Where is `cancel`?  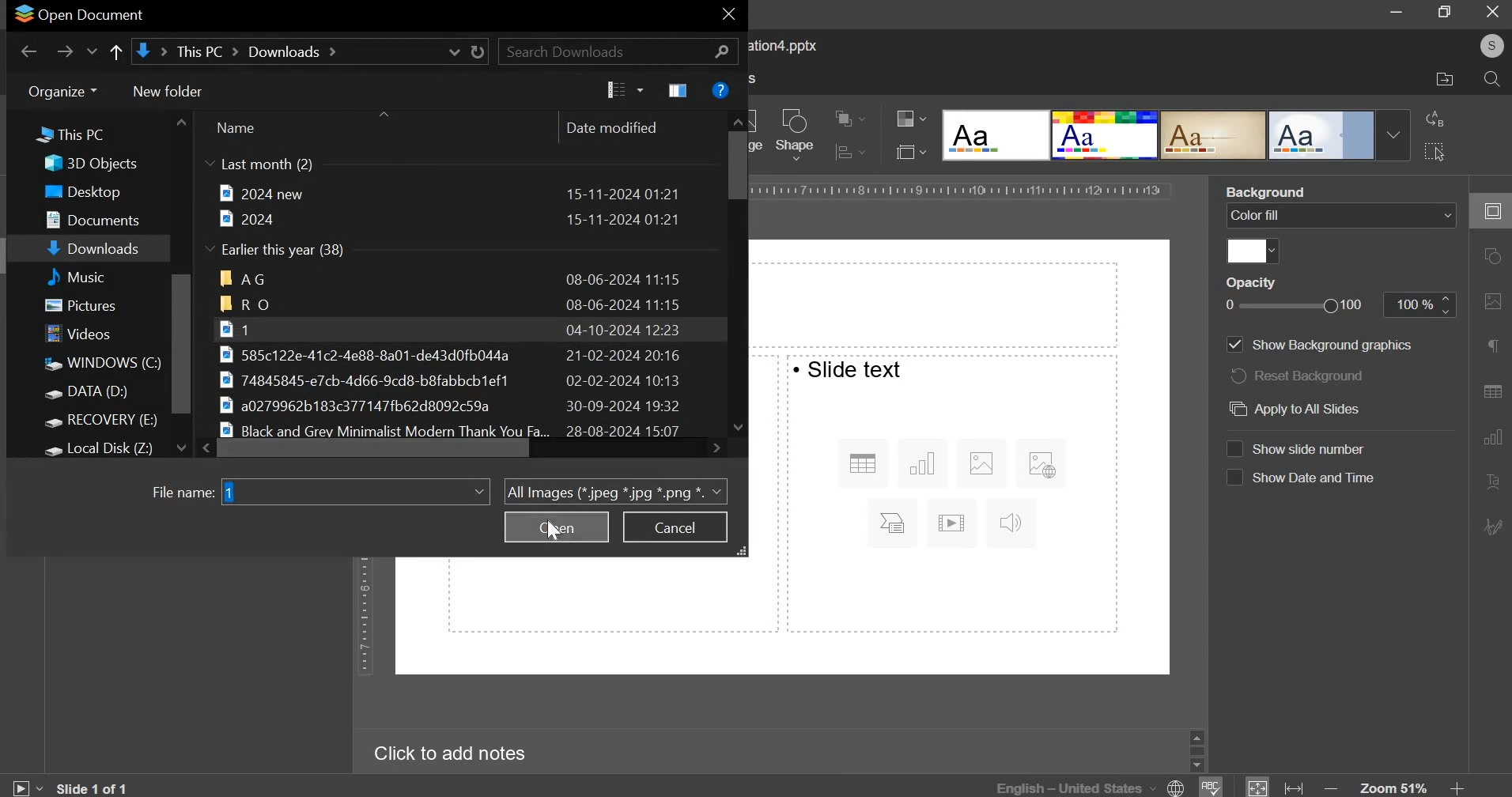
cancel is located at coordinates (675, 527).